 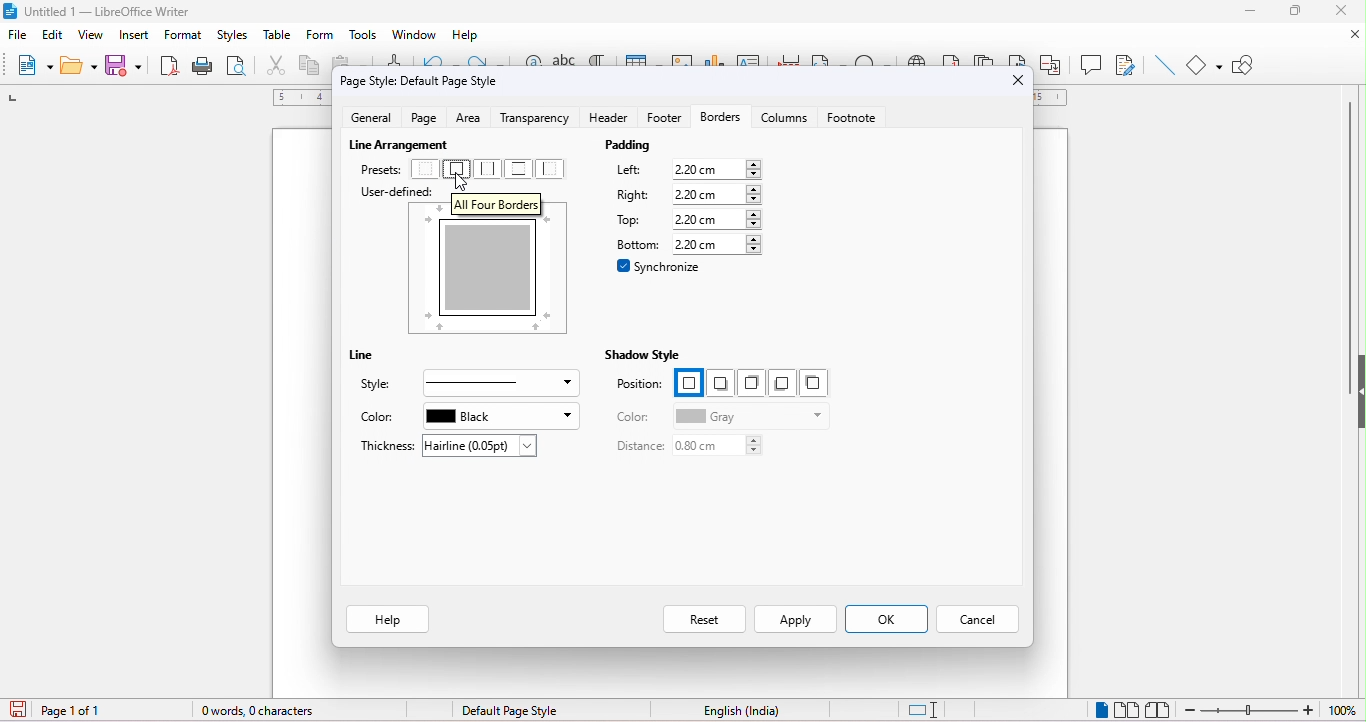 What do you see at coordinates (717, 245) in the screenshot?
I see `2.20 cm` at bounding box center [717, 245].